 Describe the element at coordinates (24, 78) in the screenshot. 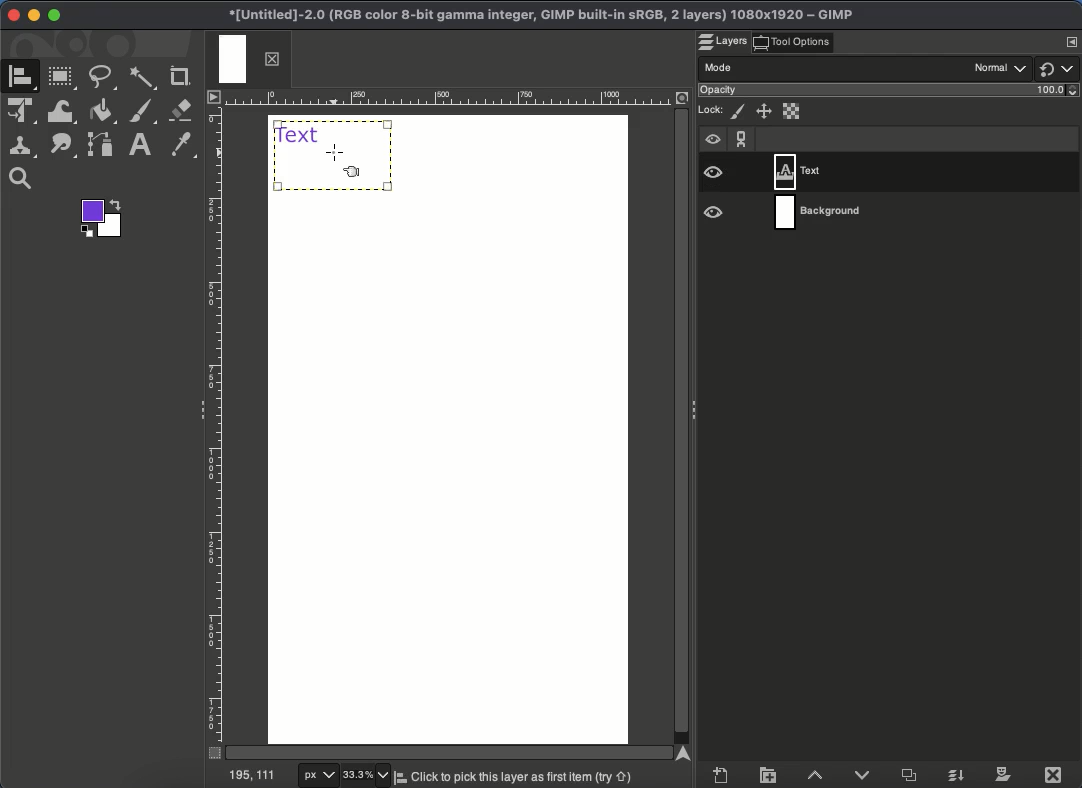

I see `A` at that location.